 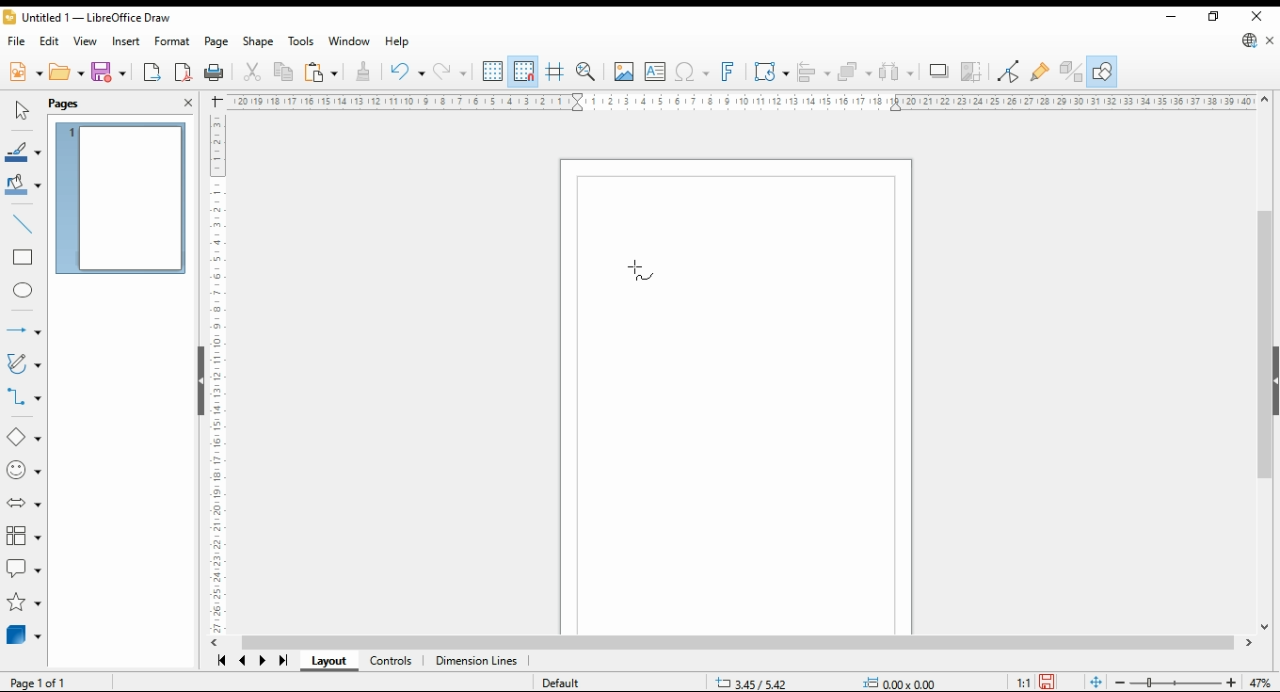 I want to click on 0.00 x 0.00, so click(x=900, y=680).